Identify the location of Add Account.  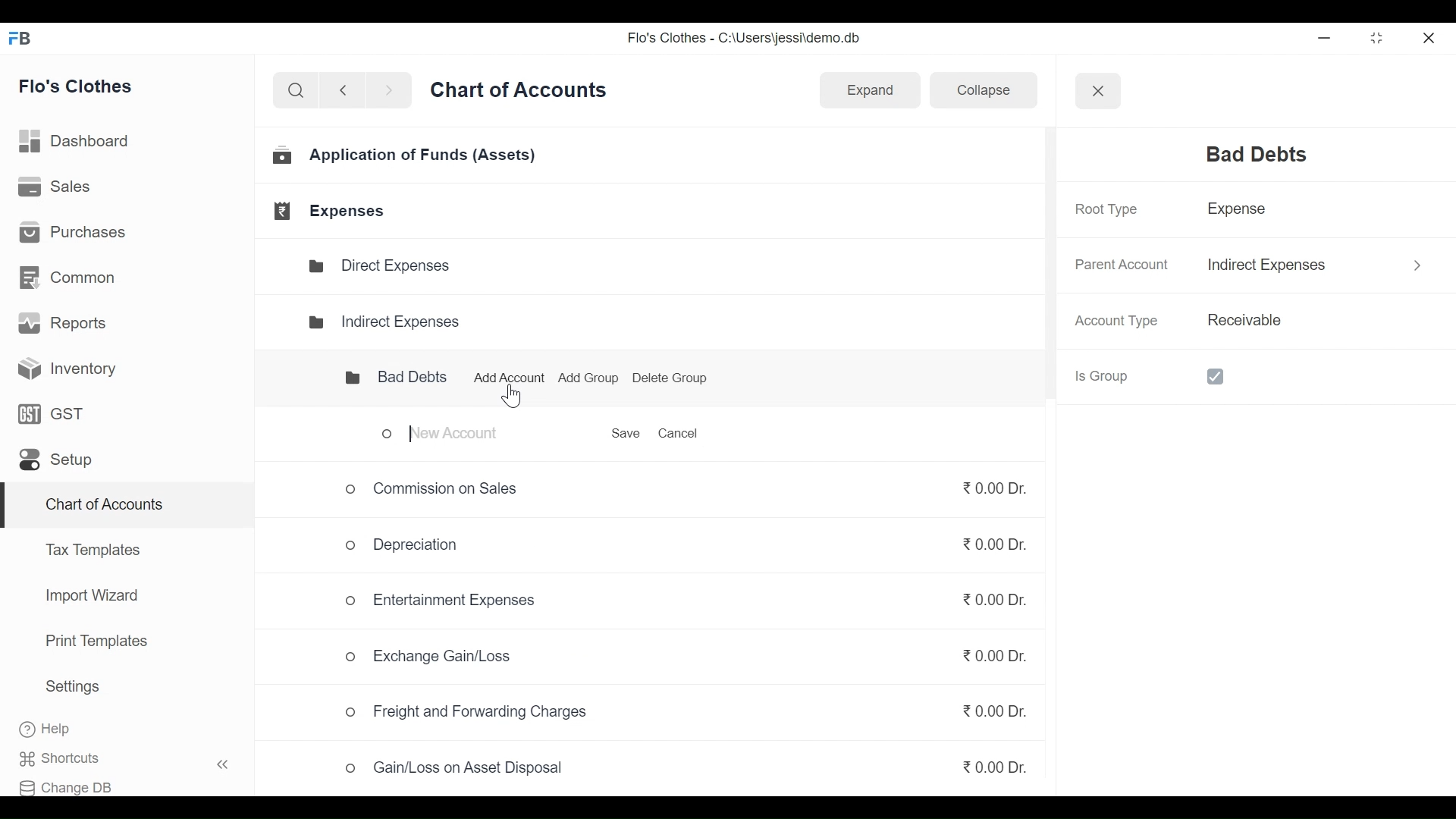
(510, 378).